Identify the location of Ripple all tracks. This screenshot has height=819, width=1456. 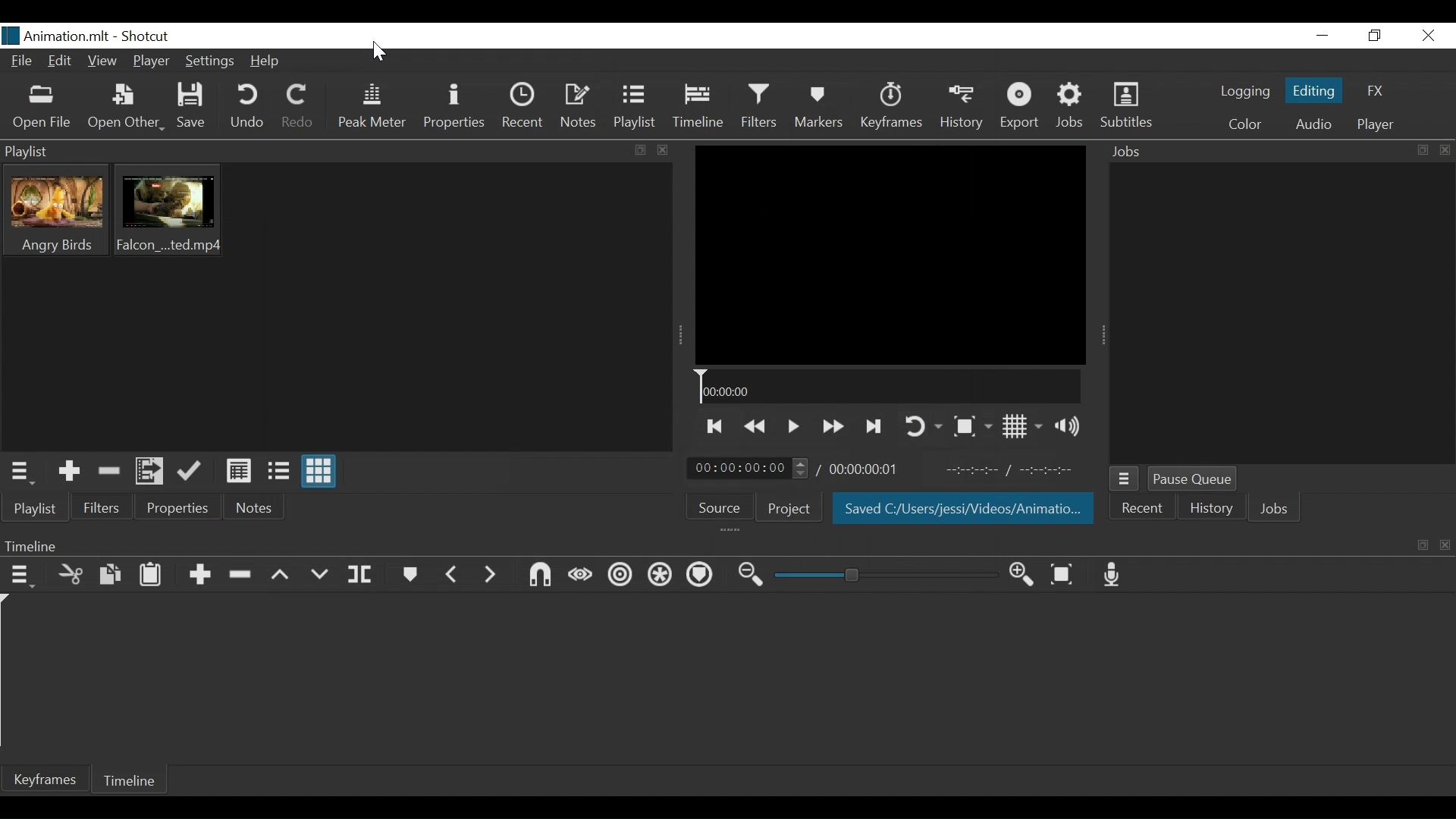
(661, 575).